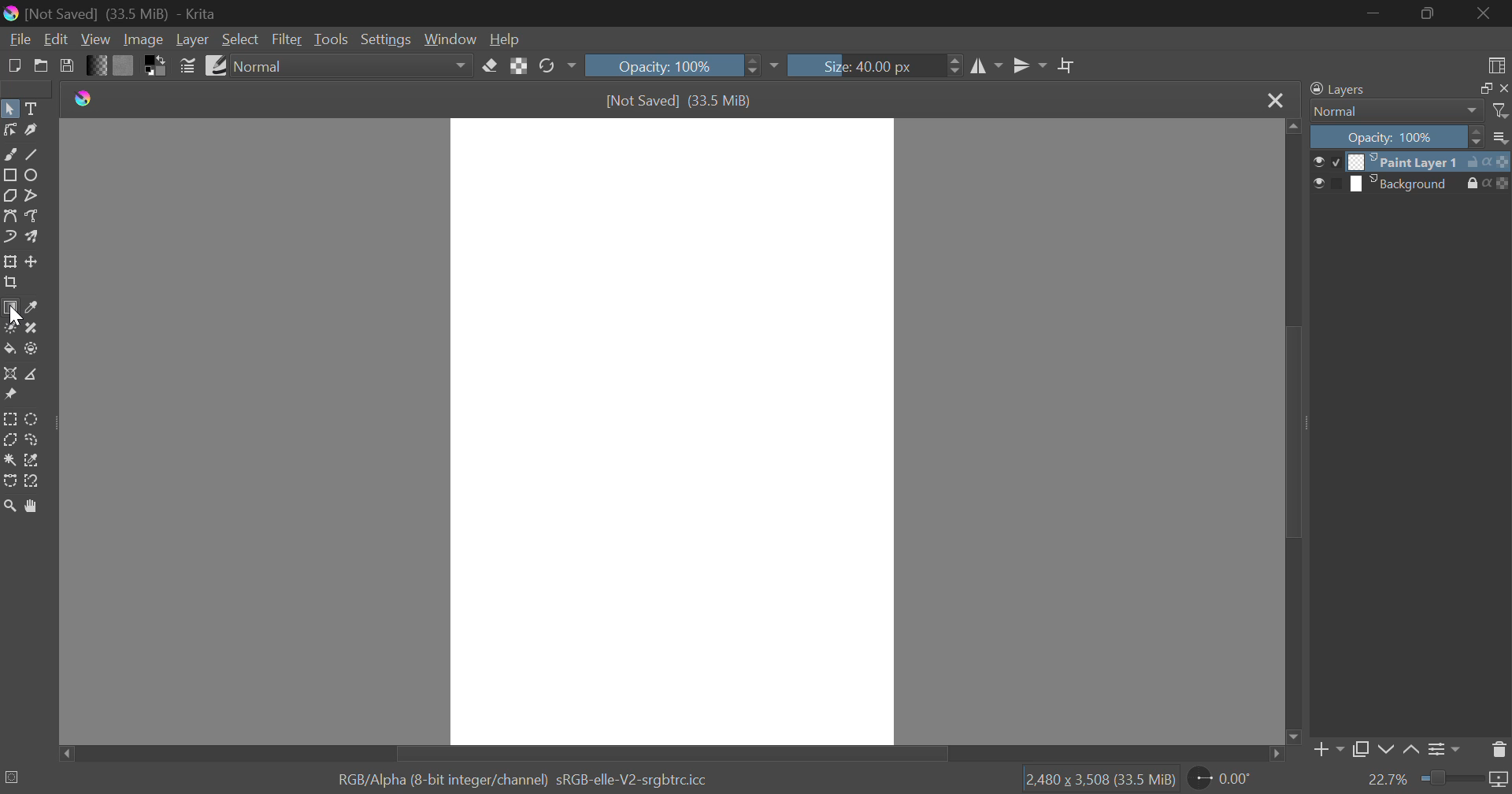 The width and height of the screenshot is (1512, 794). Describe the element at coordinates (557, 67) in the screenshot. I see `Rotate` at that location.